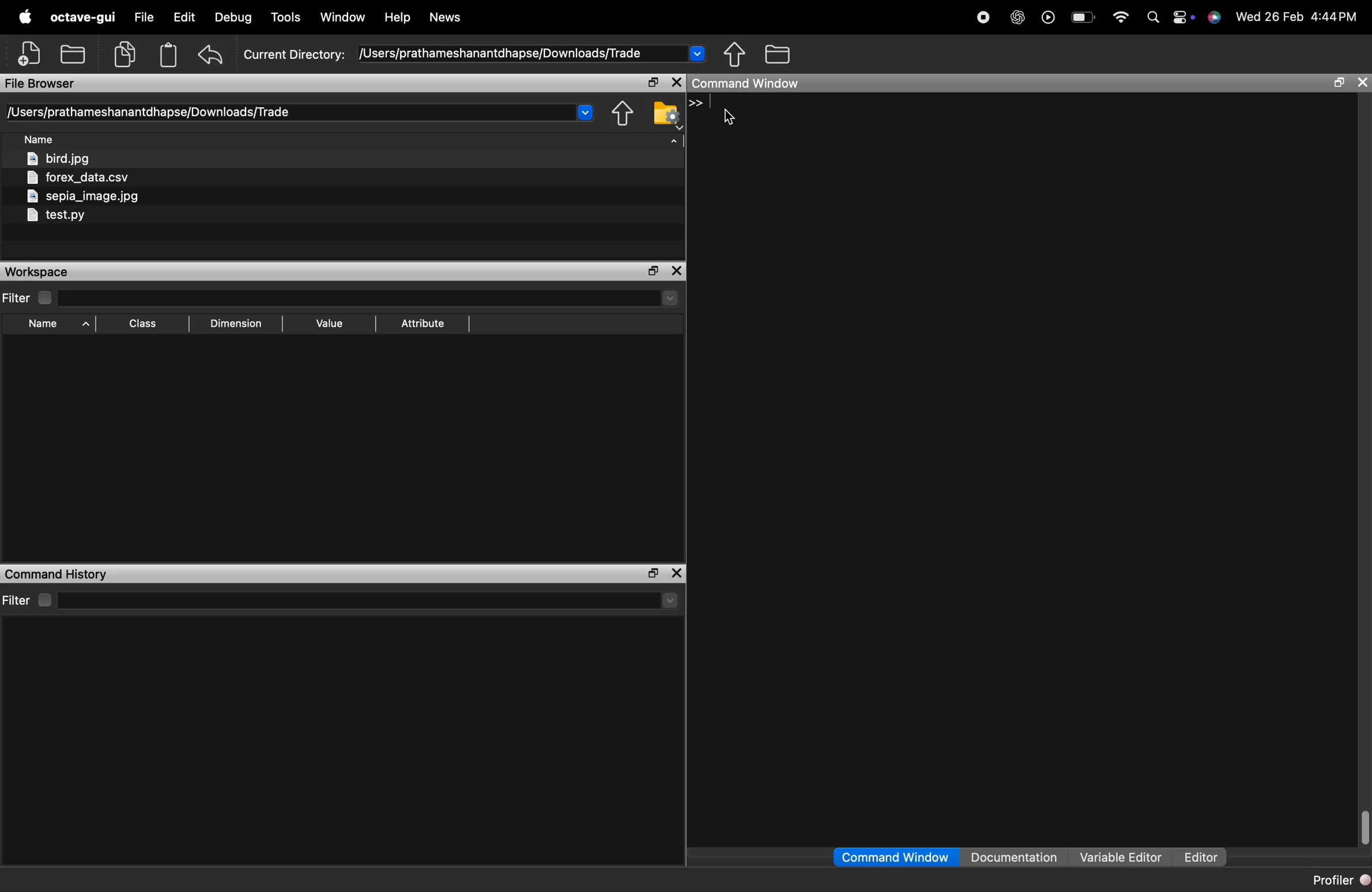  What do you see at coordinates (747, 83) in the screenshot?
I see `Command Window` at bounding box center [747, 83].